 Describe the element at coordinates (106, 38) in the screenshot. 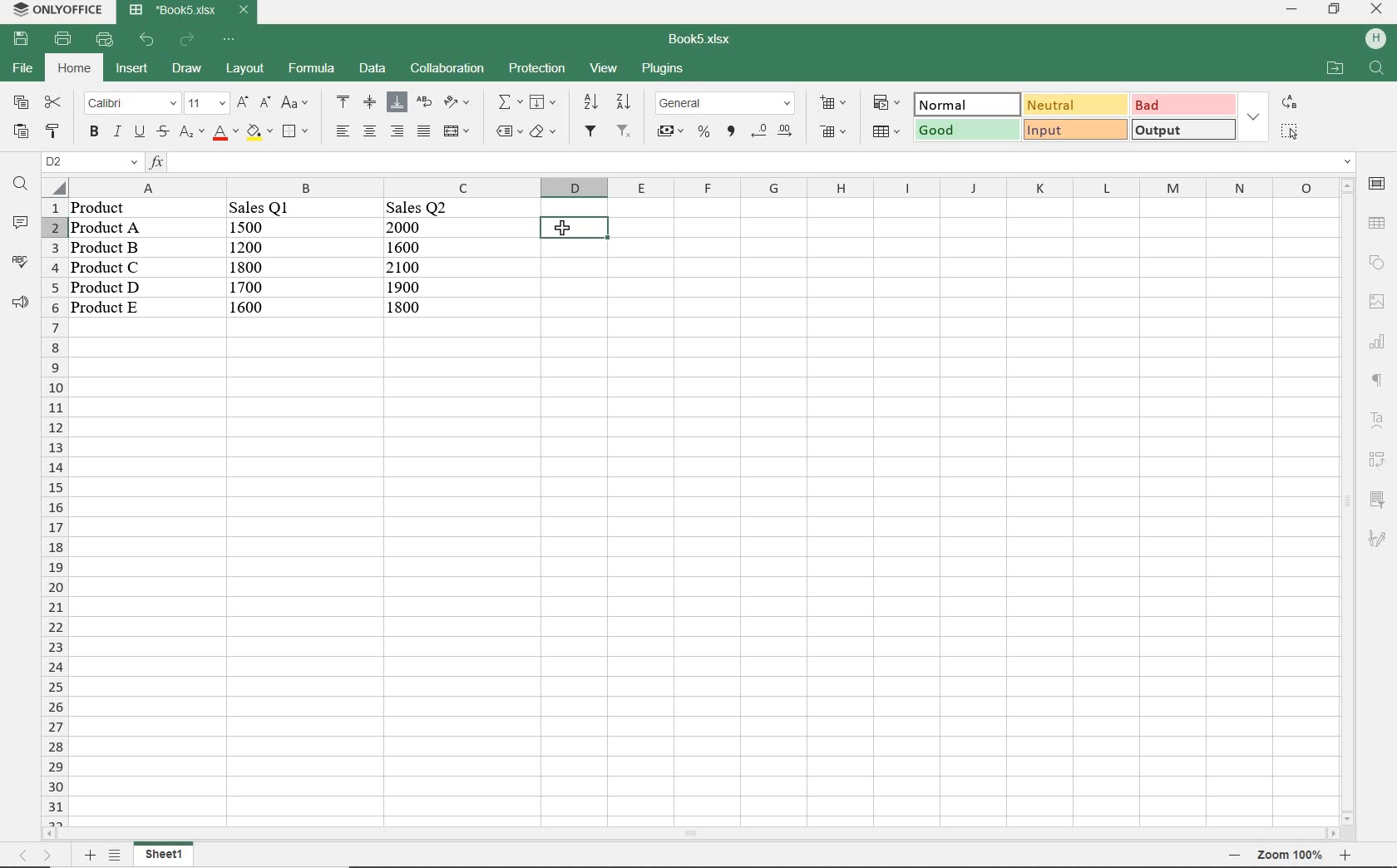

I see `quick print` at that location.